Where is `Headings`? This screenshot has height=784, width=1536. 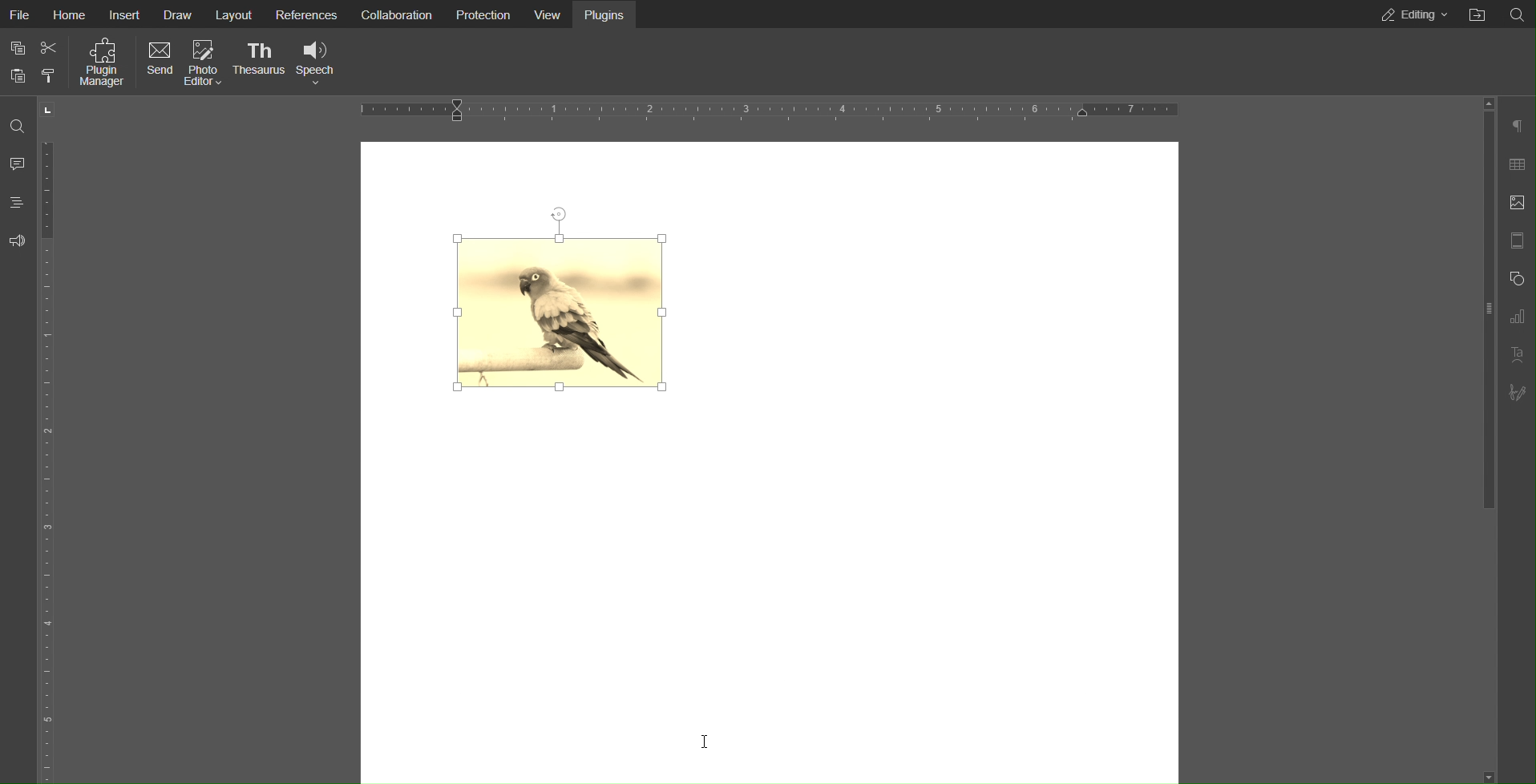 Headings is located at coordinates (18, 202).